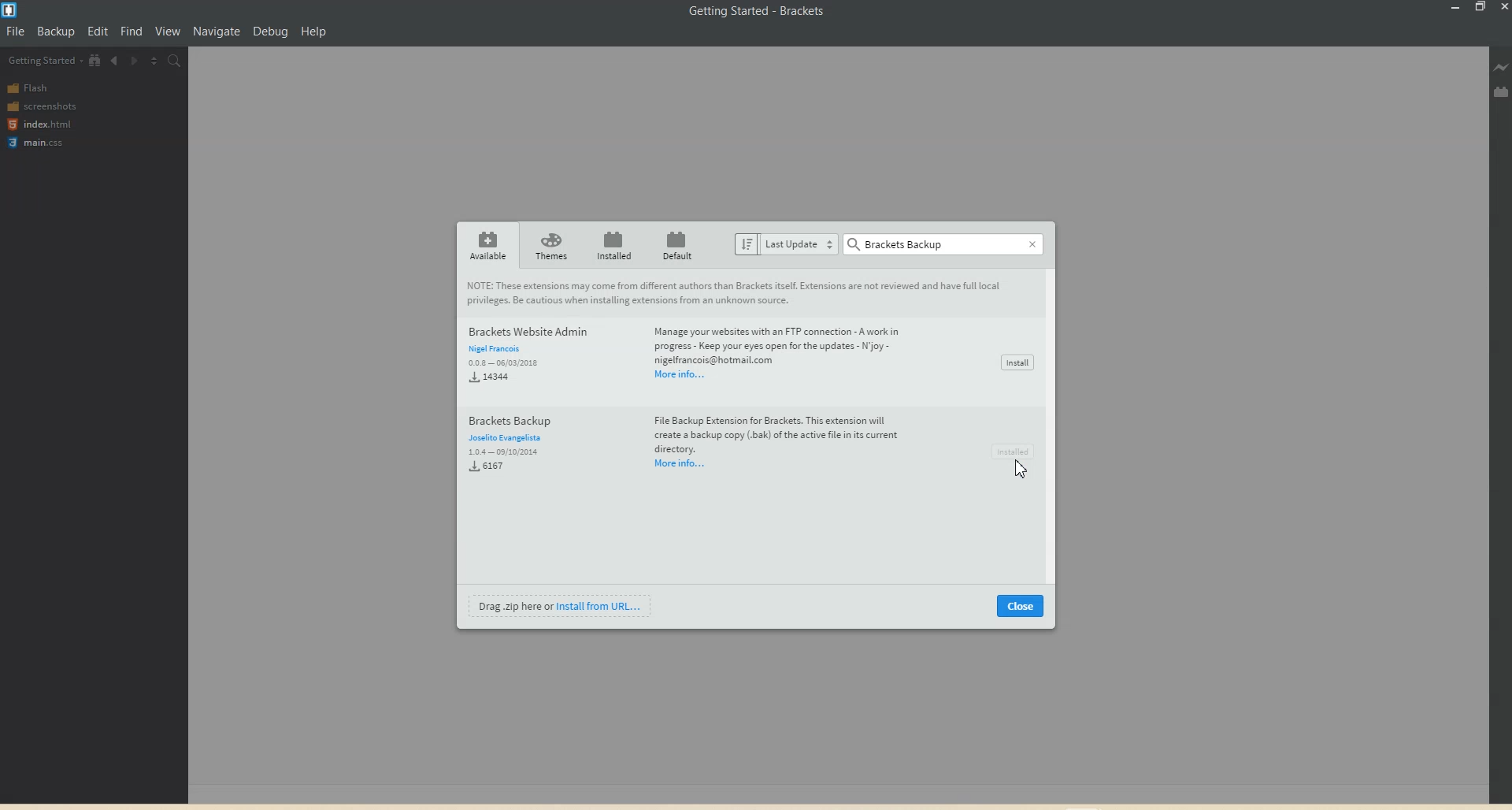 The height and width of the screenshot is (810, 1512). I want to click on Minimize, so click(1457, 8).